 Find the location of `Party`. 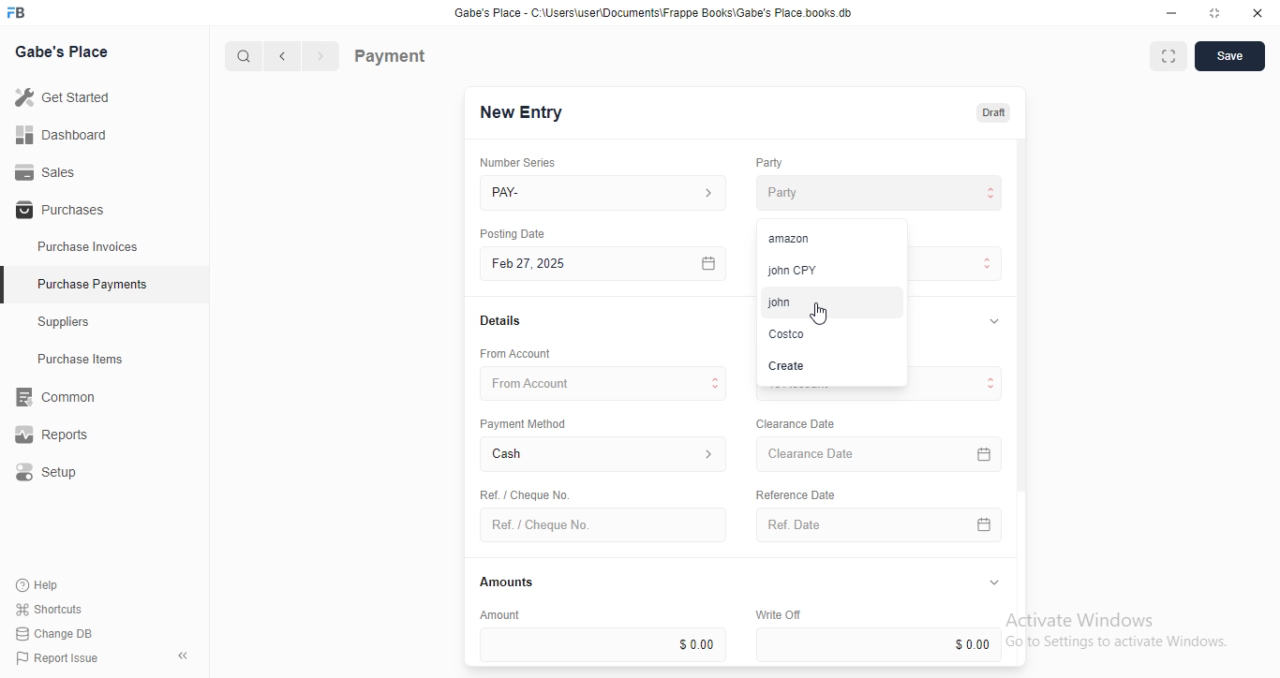

Party is located at coordinates (879, 192).